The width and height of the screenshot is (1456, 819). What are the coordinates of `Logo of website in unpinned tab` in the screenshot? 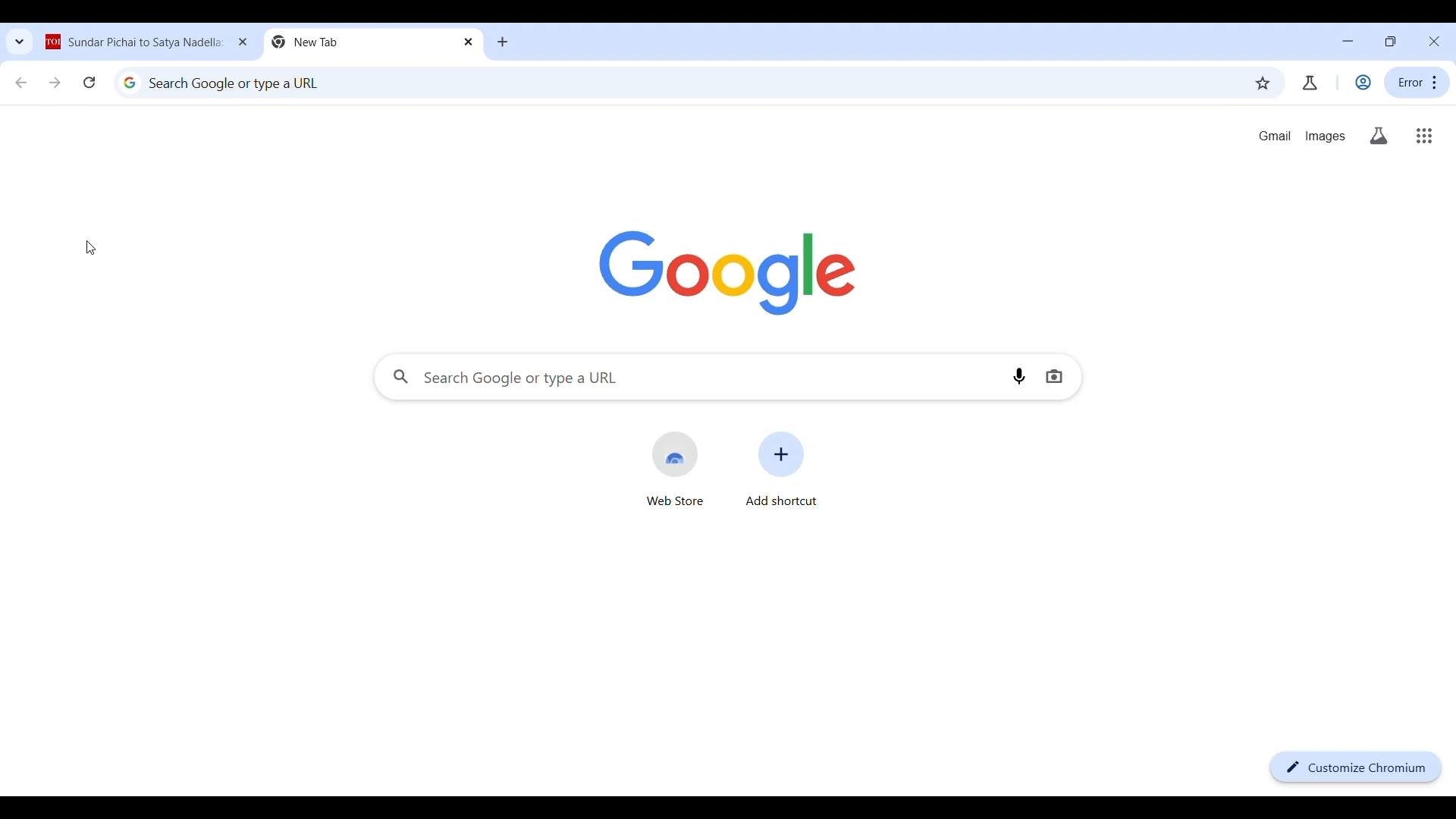 It's located at (54, 43).